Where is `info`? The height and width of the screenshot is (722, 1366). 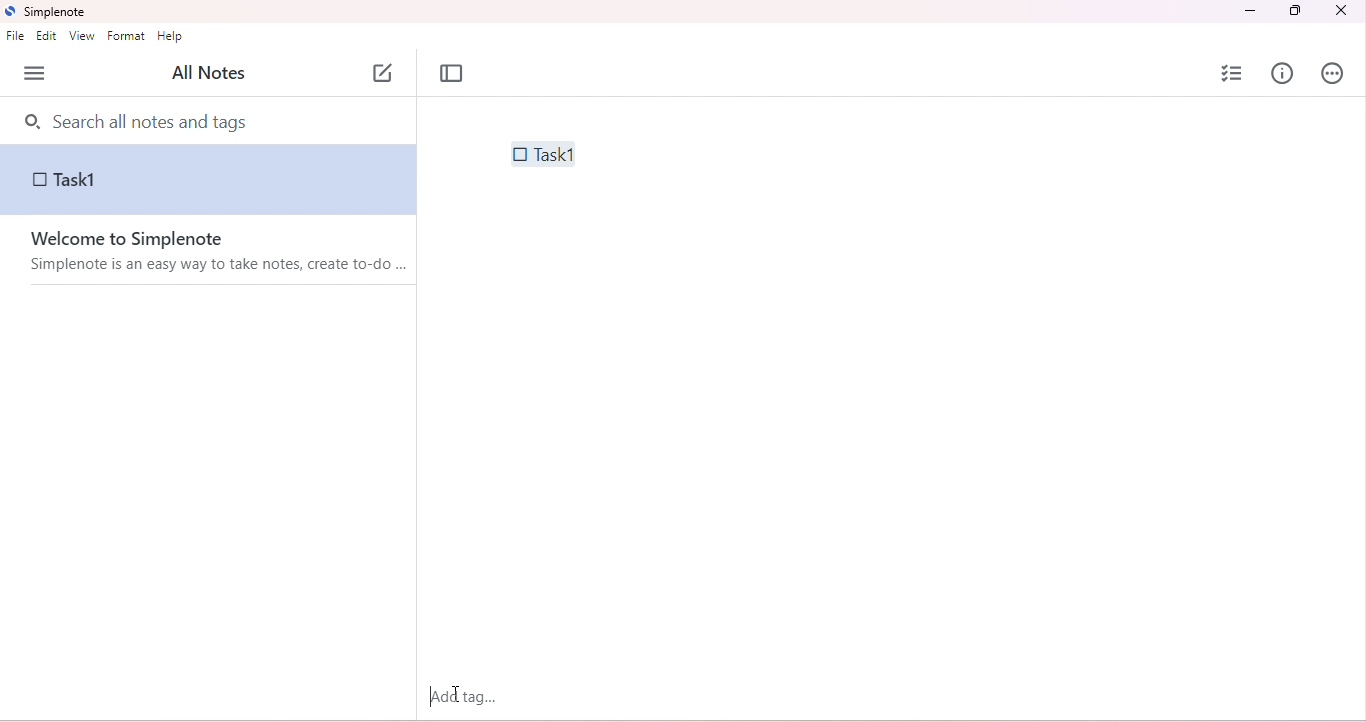 info is located at coordinates (1283, 73).